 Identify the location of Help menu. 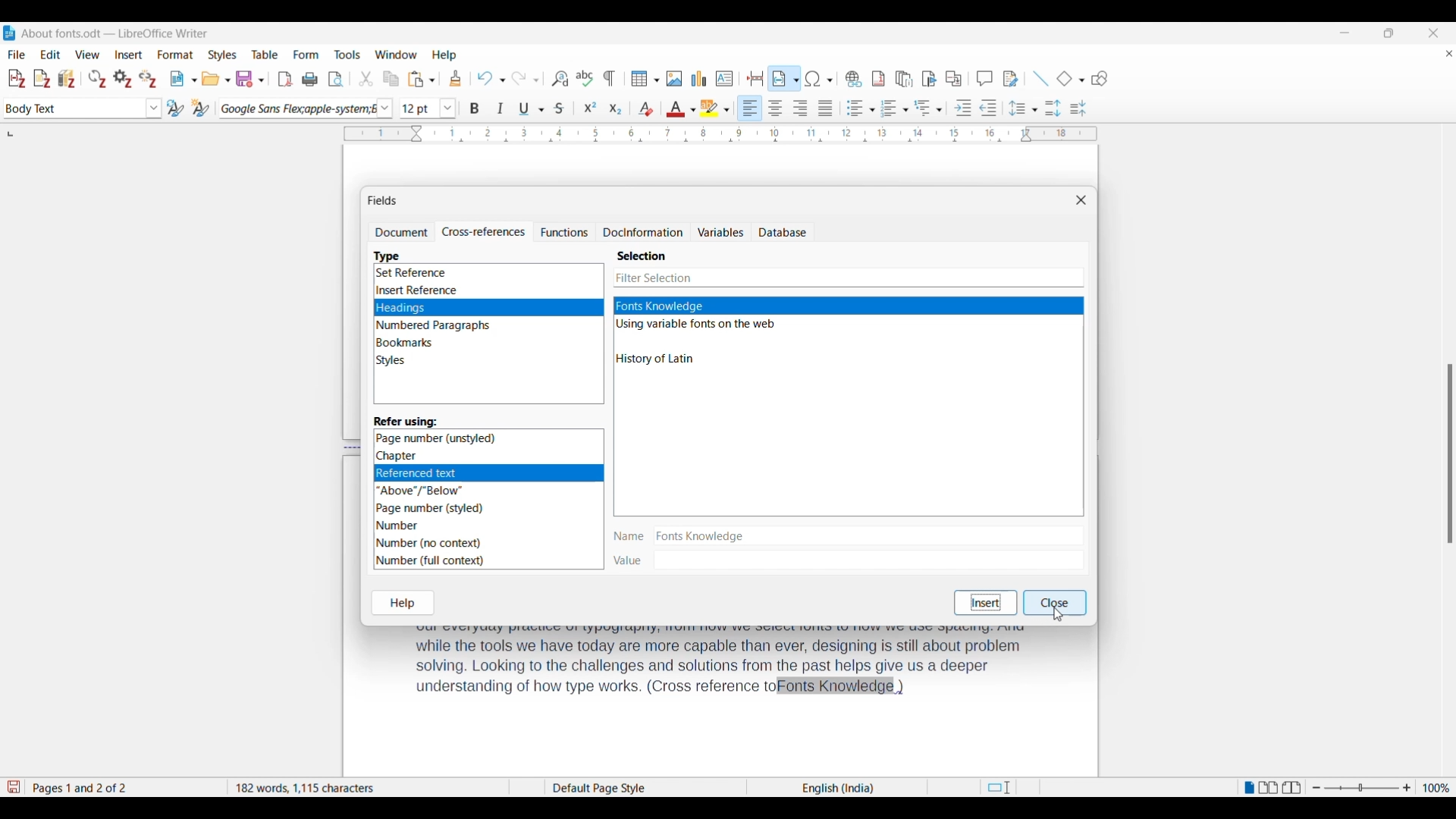
(444, 55).